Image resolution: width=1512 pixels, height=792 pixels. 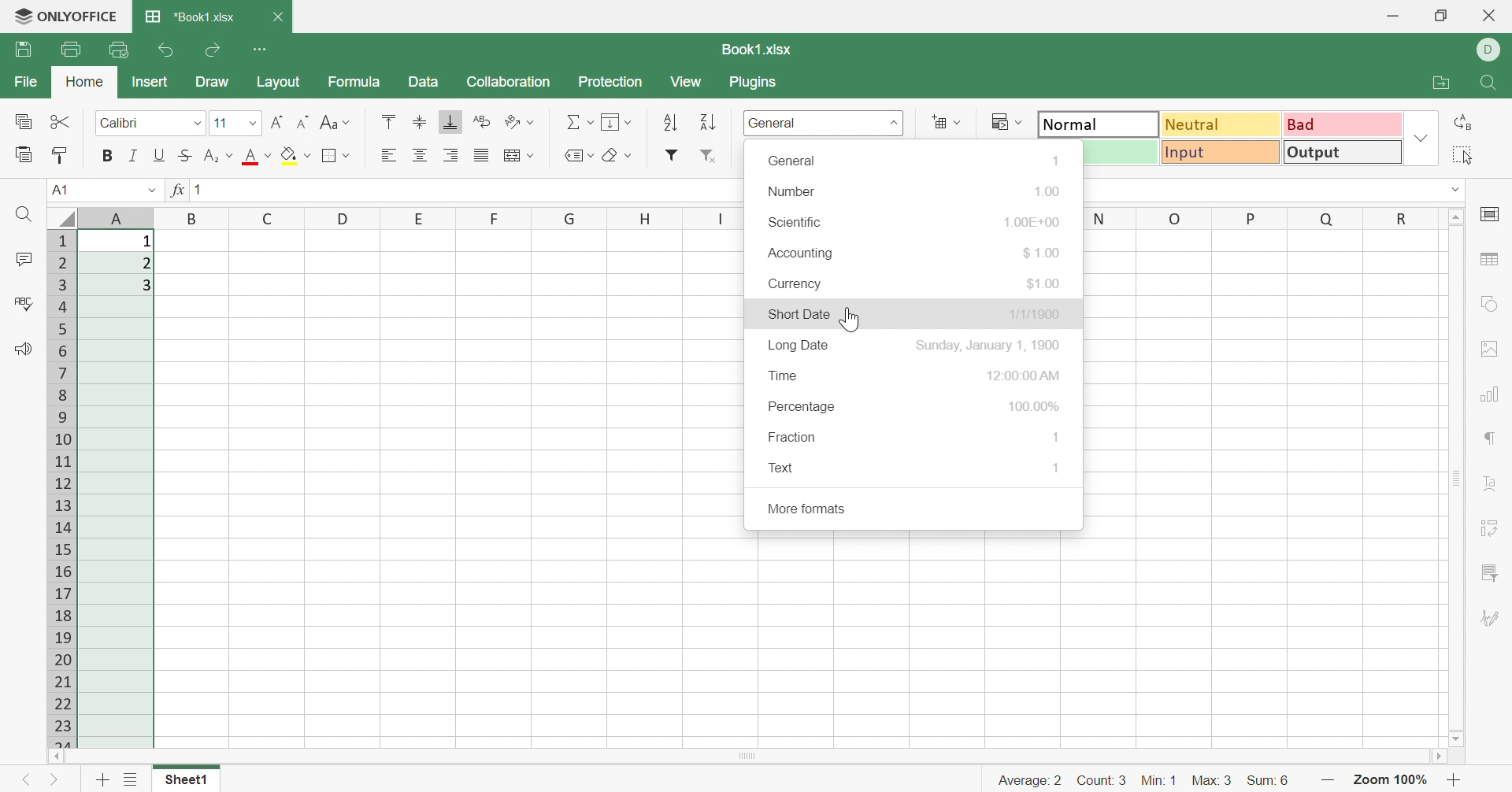 What do you see at coordinates (160, 156) in the screenshot?
I see `Underline` at bounding box center [160, 156].